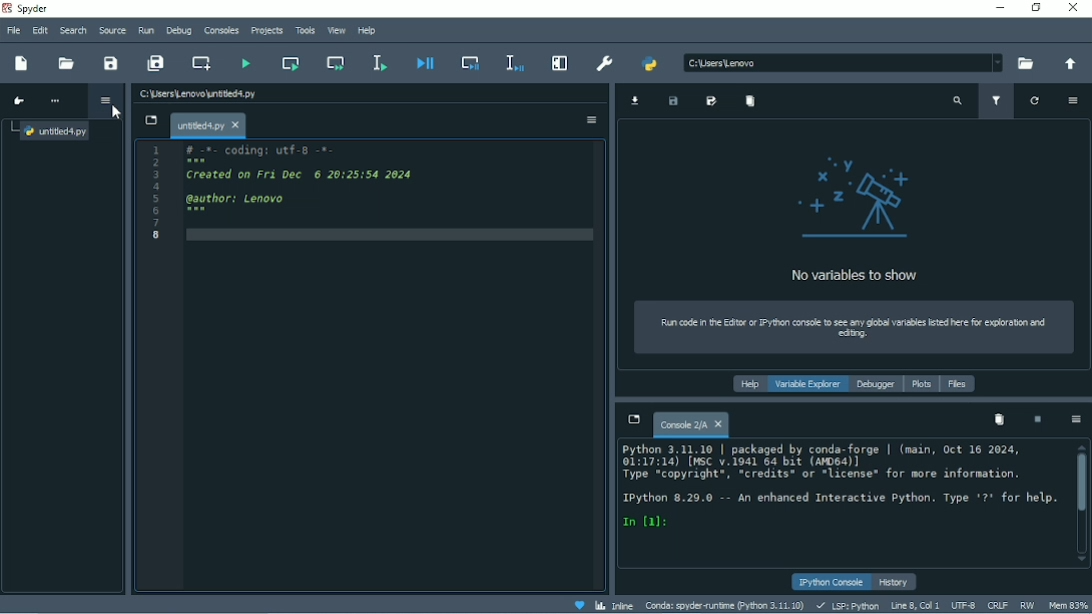 Image resolution: width=1092 pixels, height=614 pixels. Describe the element at coordinates (364, 31) in the screenshot. I see `Help` at that location.